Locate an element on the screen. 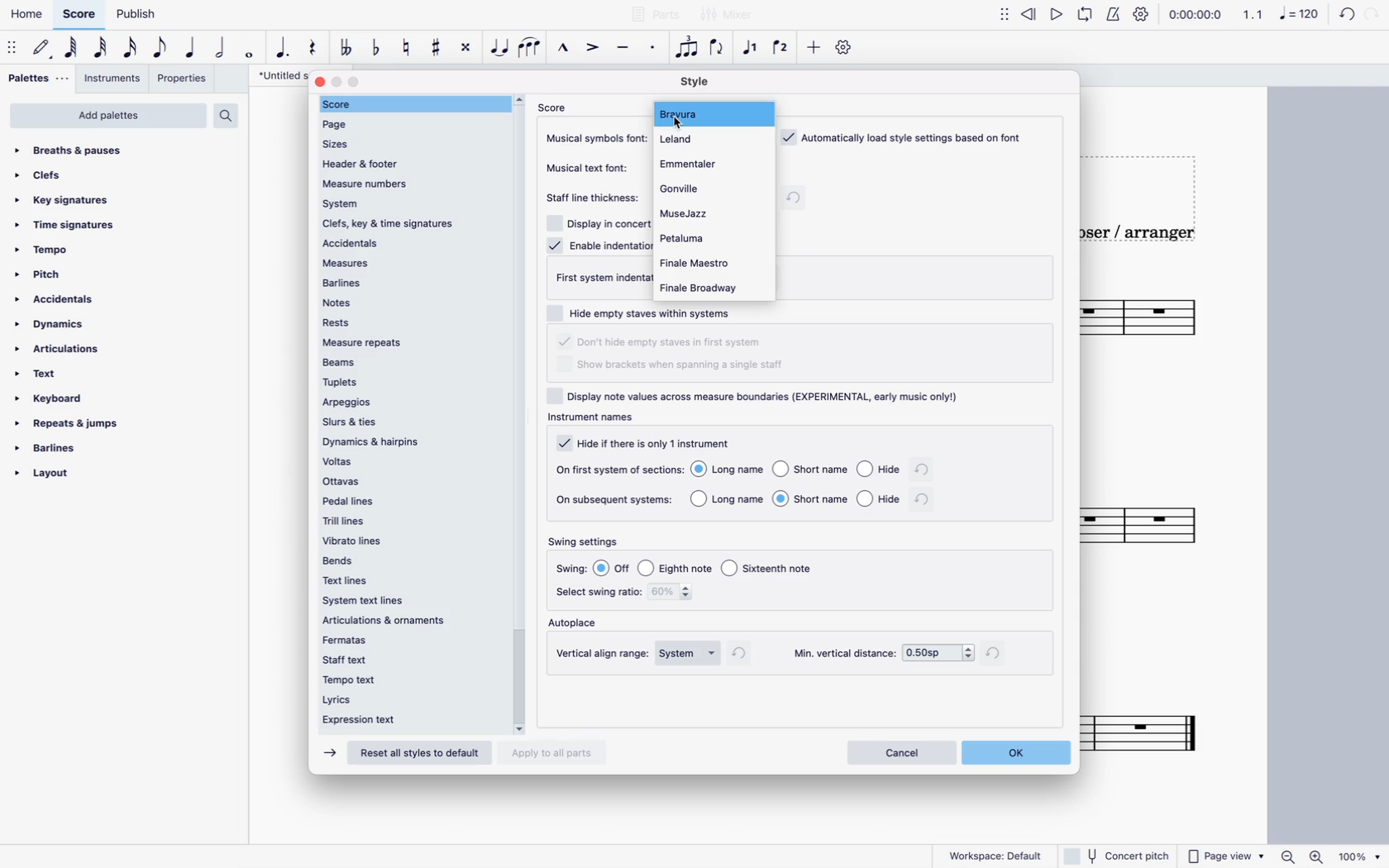 The width and height of the screenshot is (1389, 868). select swing ratio is located at coordinates (597, 592).